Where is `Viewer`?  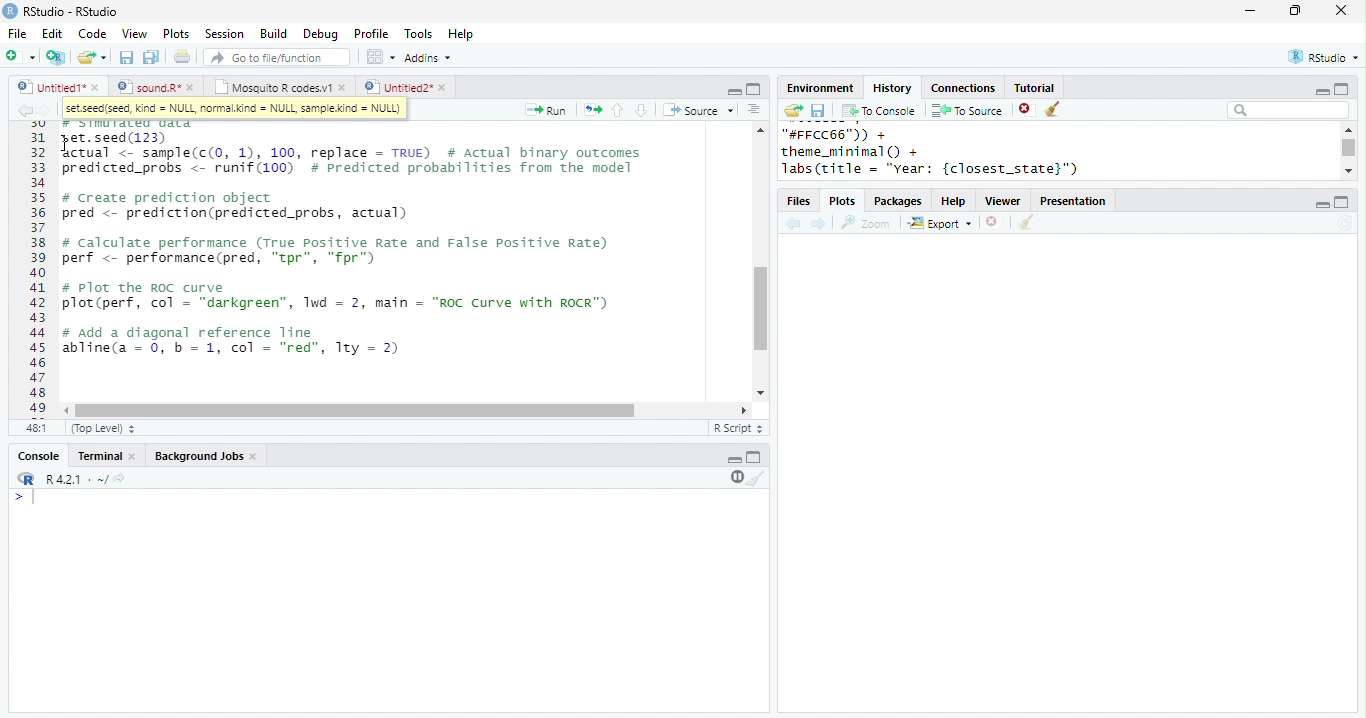 Viewer is located at coordinates (1004, 202).